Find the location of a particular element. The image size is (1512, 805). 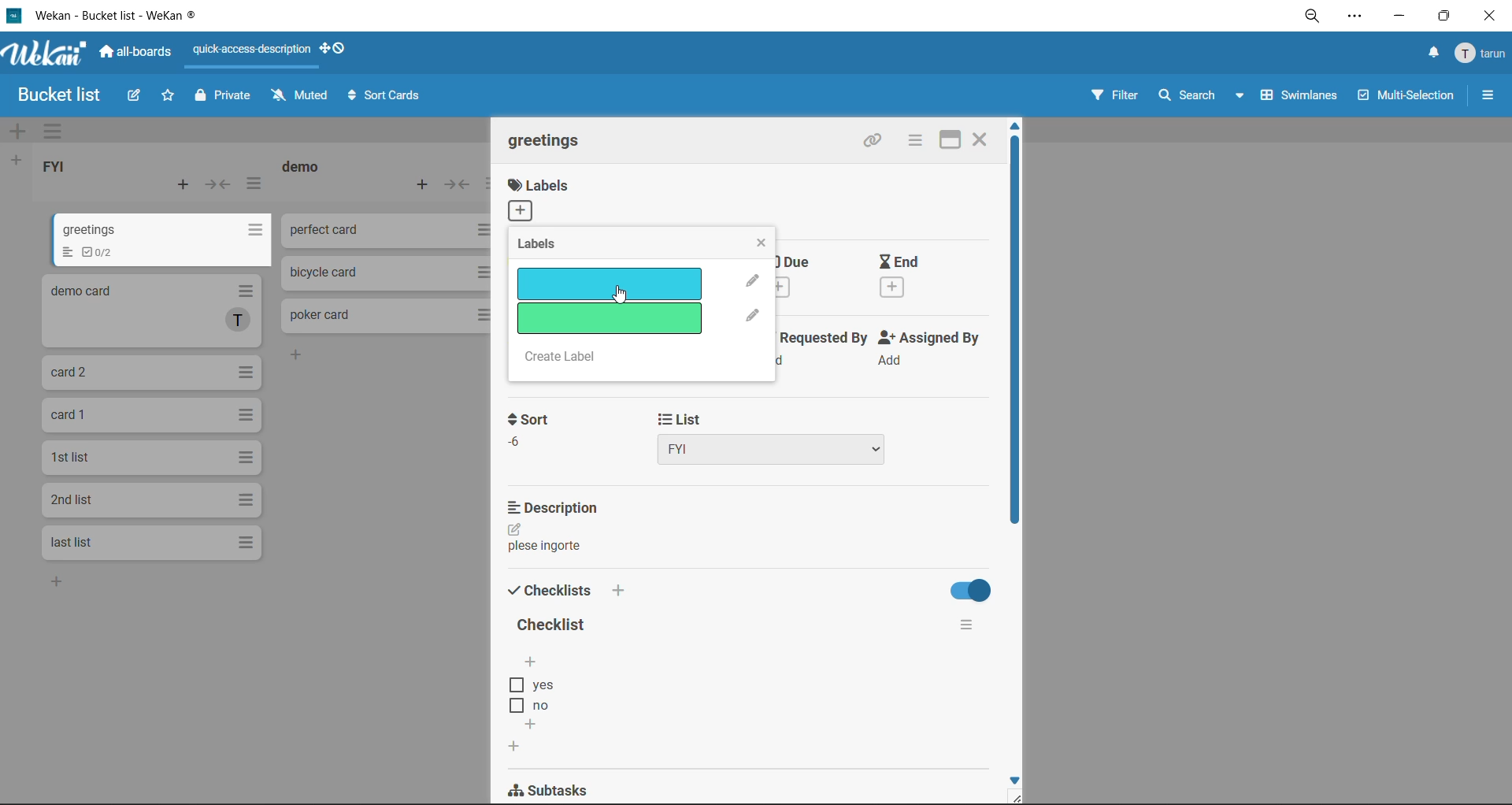

add swimlane is located at coordinates (20, 132).